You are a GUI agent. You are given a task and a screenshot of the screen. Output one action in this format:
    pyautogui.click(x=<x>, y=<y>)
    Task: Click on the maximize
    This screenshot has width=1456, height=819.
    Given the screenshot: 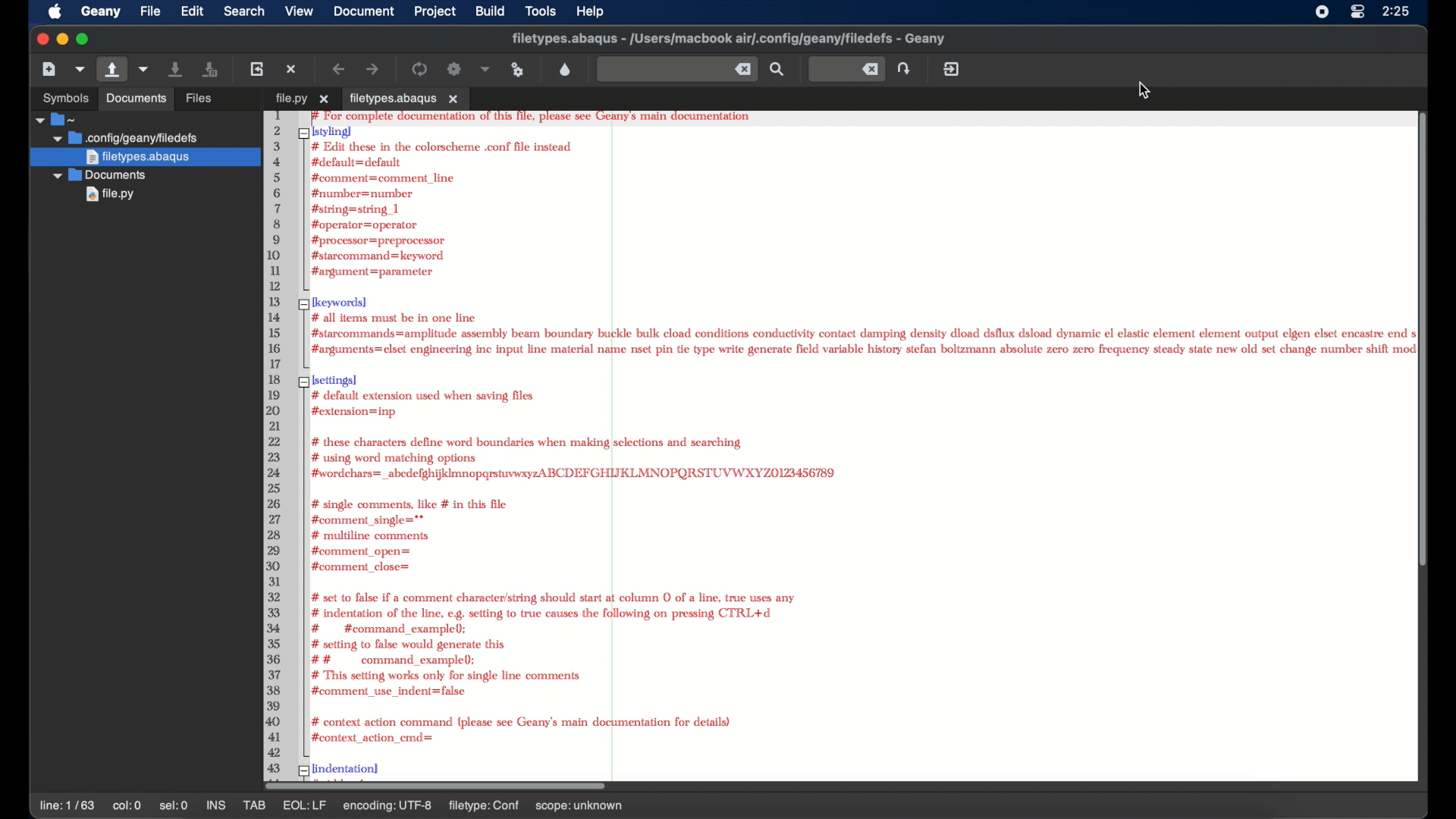 What is the action you would take?
    pyautogui.click(x=83, y=39)
    